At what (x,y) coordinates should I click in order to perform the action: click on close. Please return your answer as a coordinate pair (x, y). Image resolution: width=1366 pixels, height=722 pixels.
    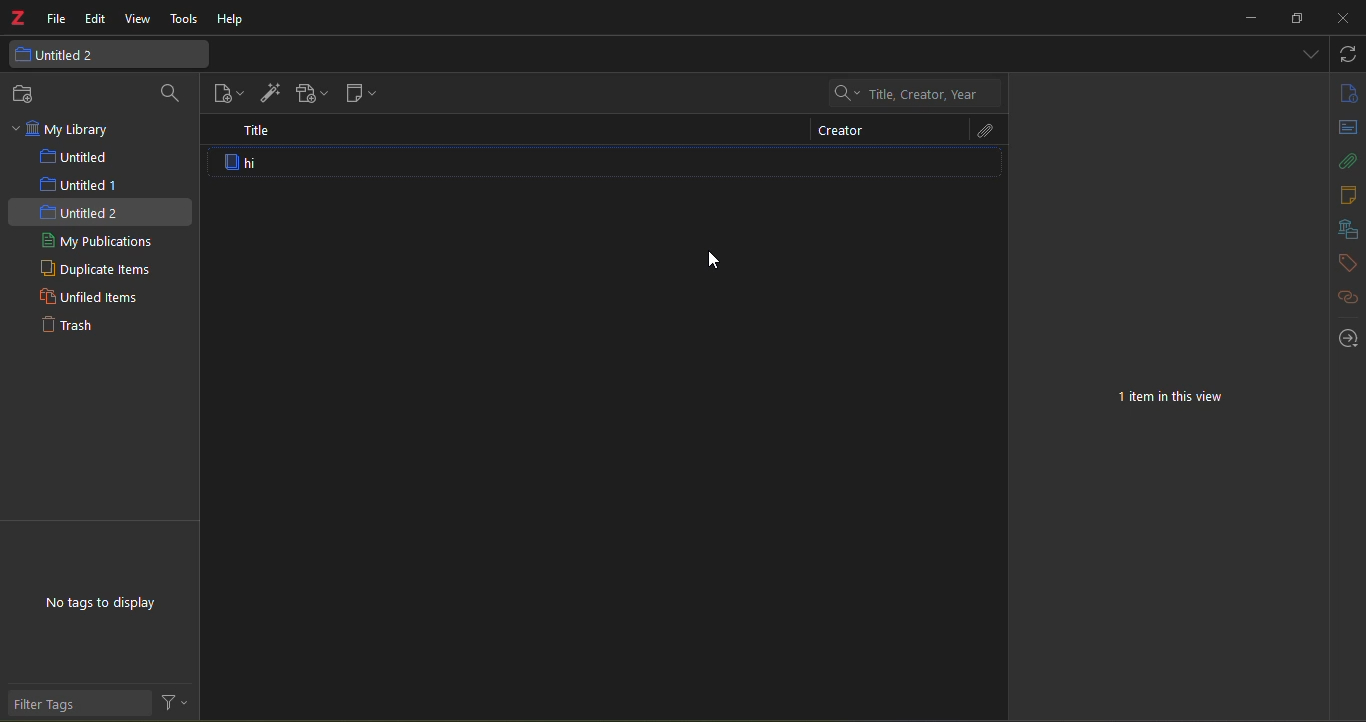
    Looking at the image, I should click on (1340, 19).